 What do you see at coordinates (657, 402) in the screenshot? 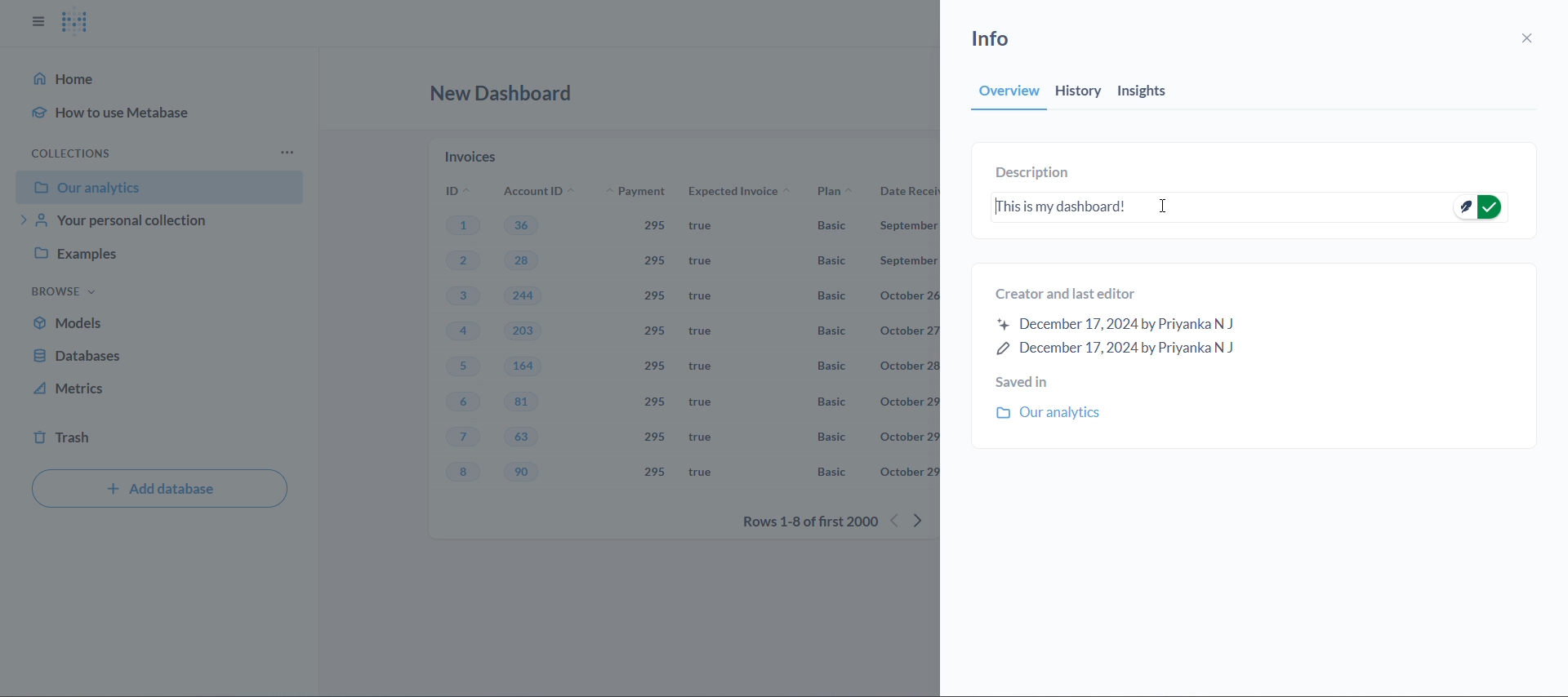
I see `295` at bounding box center [657, 402].